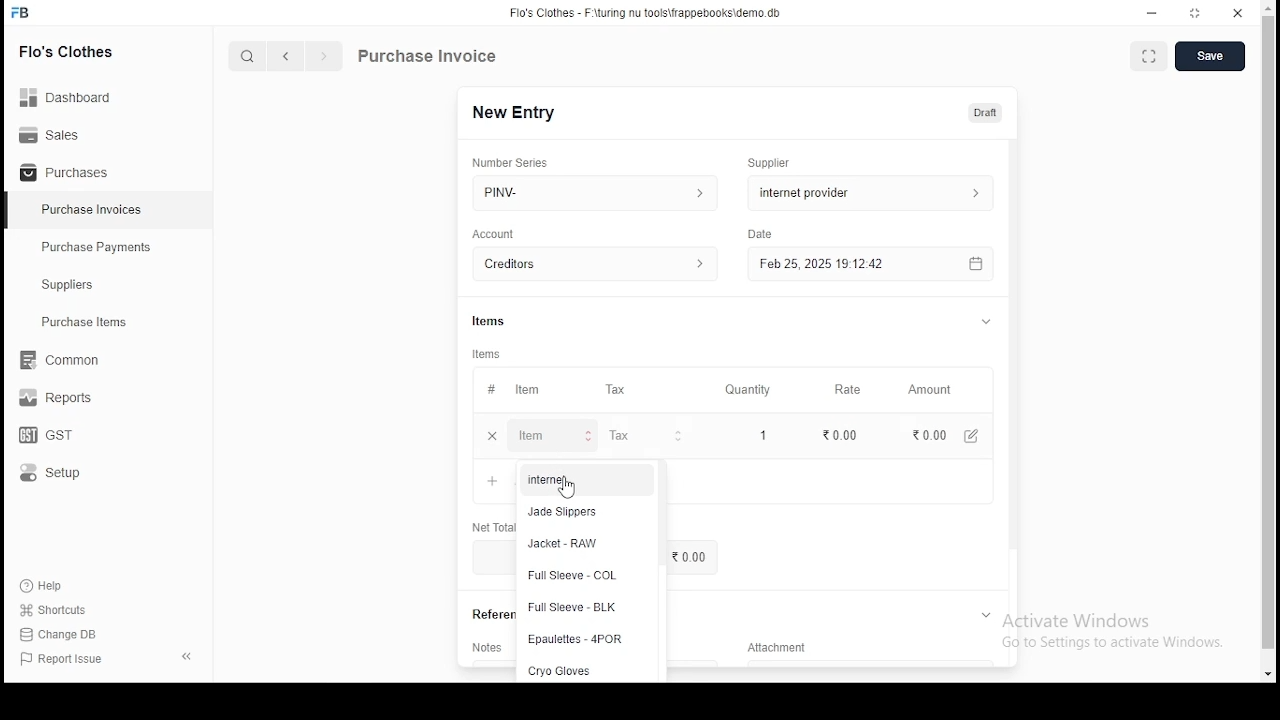 Image resolution: width=1280 pixels, height=720 pixels. I want to click on Date, so click(765, 235).